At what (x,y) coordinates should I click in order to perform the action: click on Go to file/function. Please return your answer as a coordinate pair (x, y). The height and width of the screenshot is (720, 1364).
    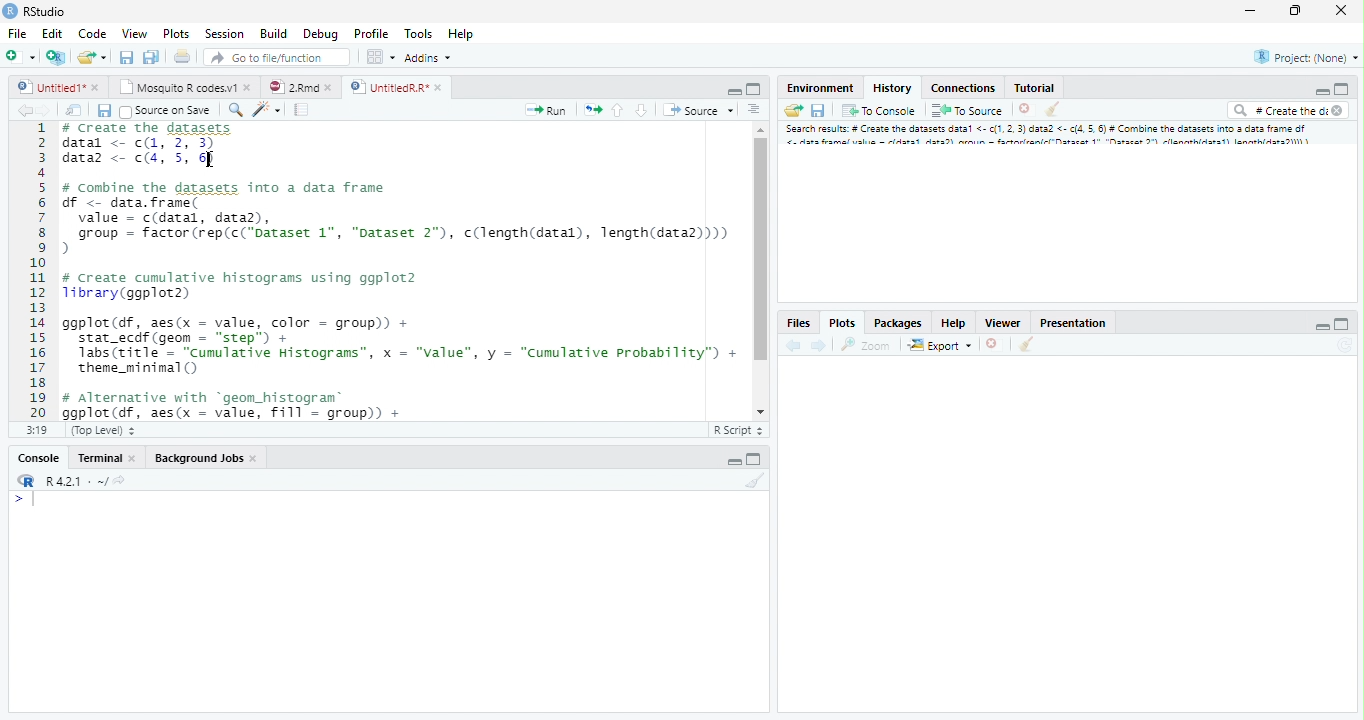
    Looking at the image, I should click on (275, 58).